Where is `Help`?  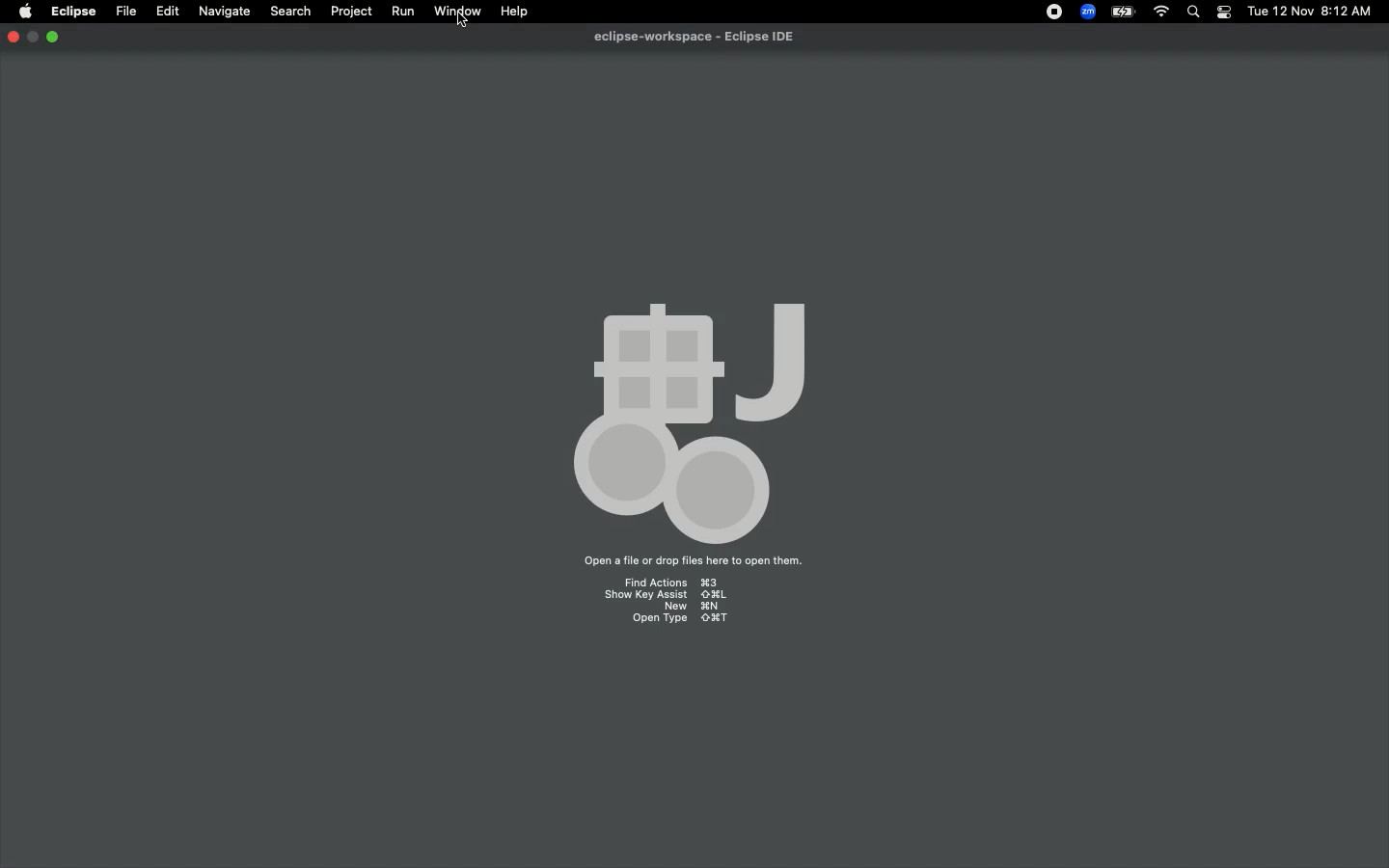
Help is located at coordinates (515, 12).